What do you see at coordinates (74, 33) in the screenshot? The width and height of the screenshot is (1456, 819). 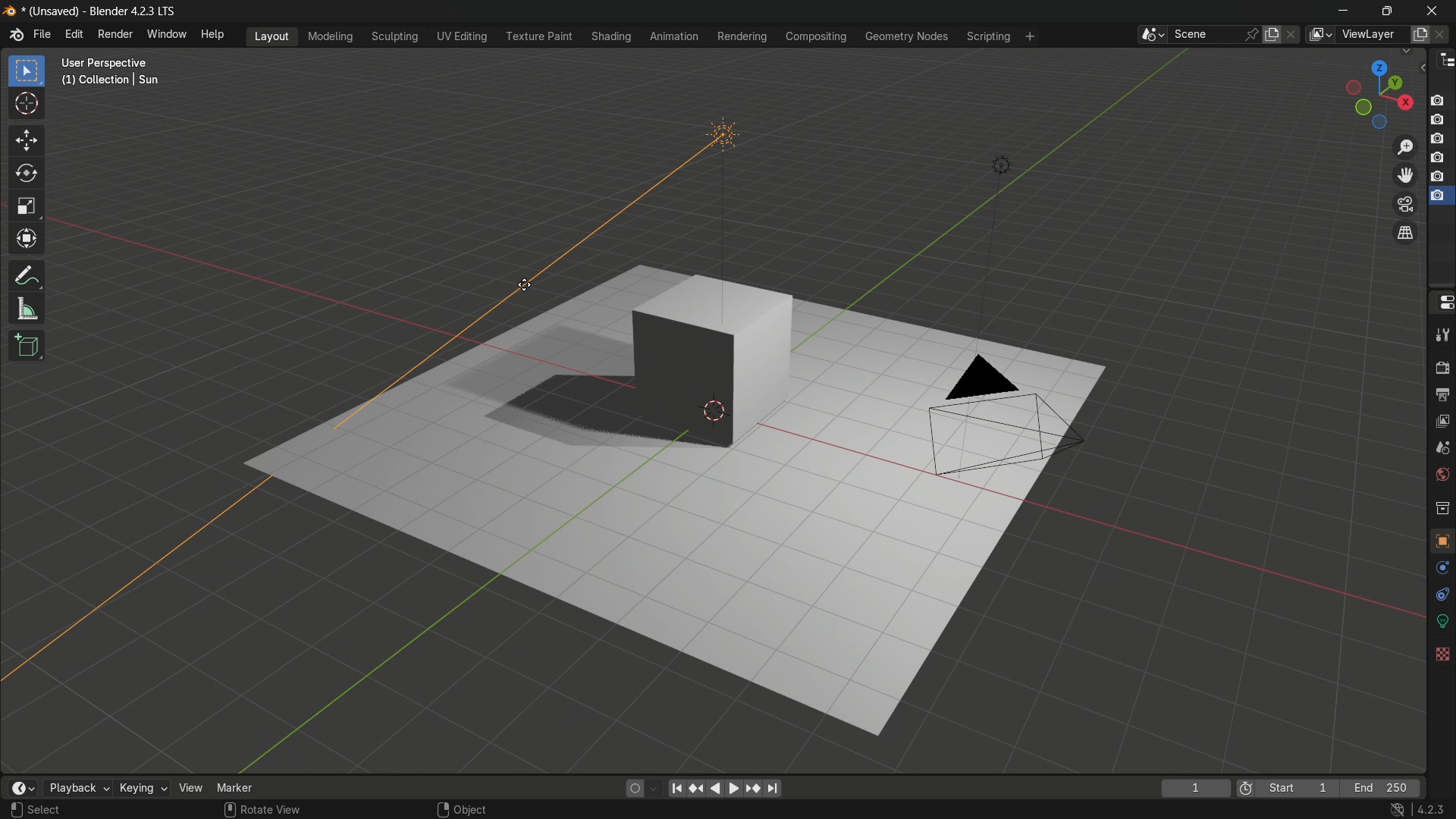 I see `edit menu` at bounding box center [74, 33].